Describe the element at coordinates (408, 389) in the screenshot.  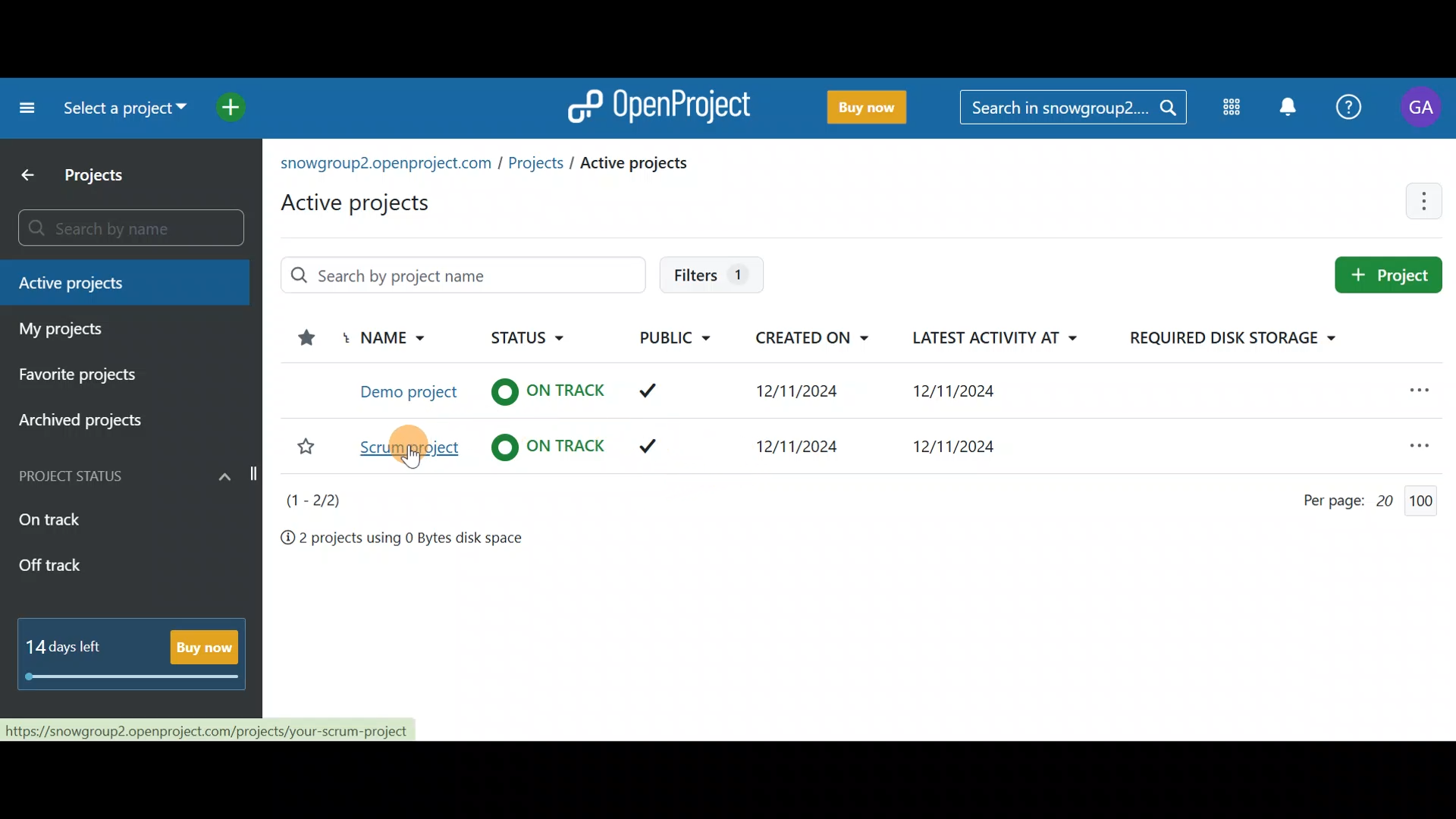
I see `Project 1` at that location.